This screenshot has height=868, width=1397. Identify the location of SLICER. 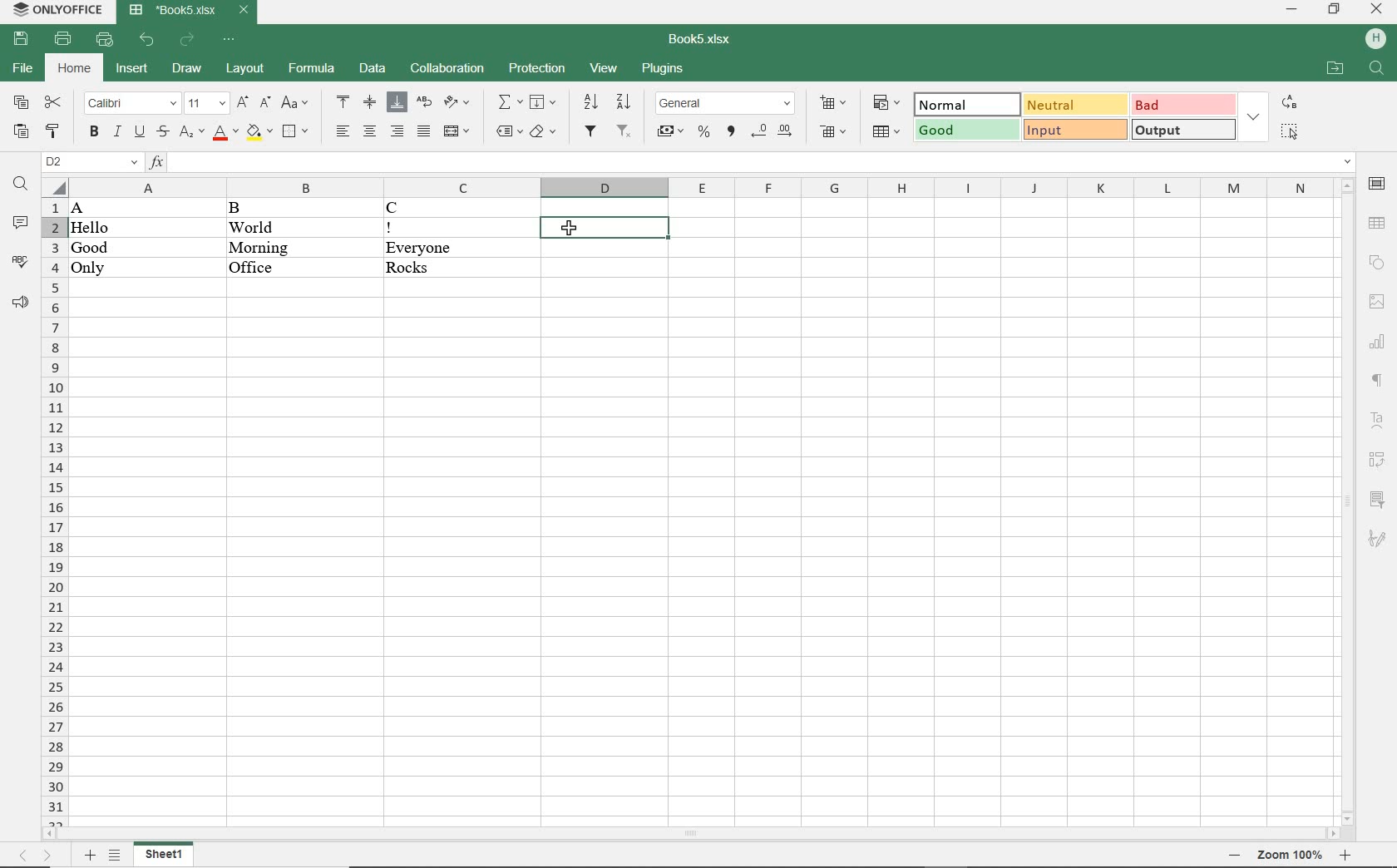
(1377, 499).